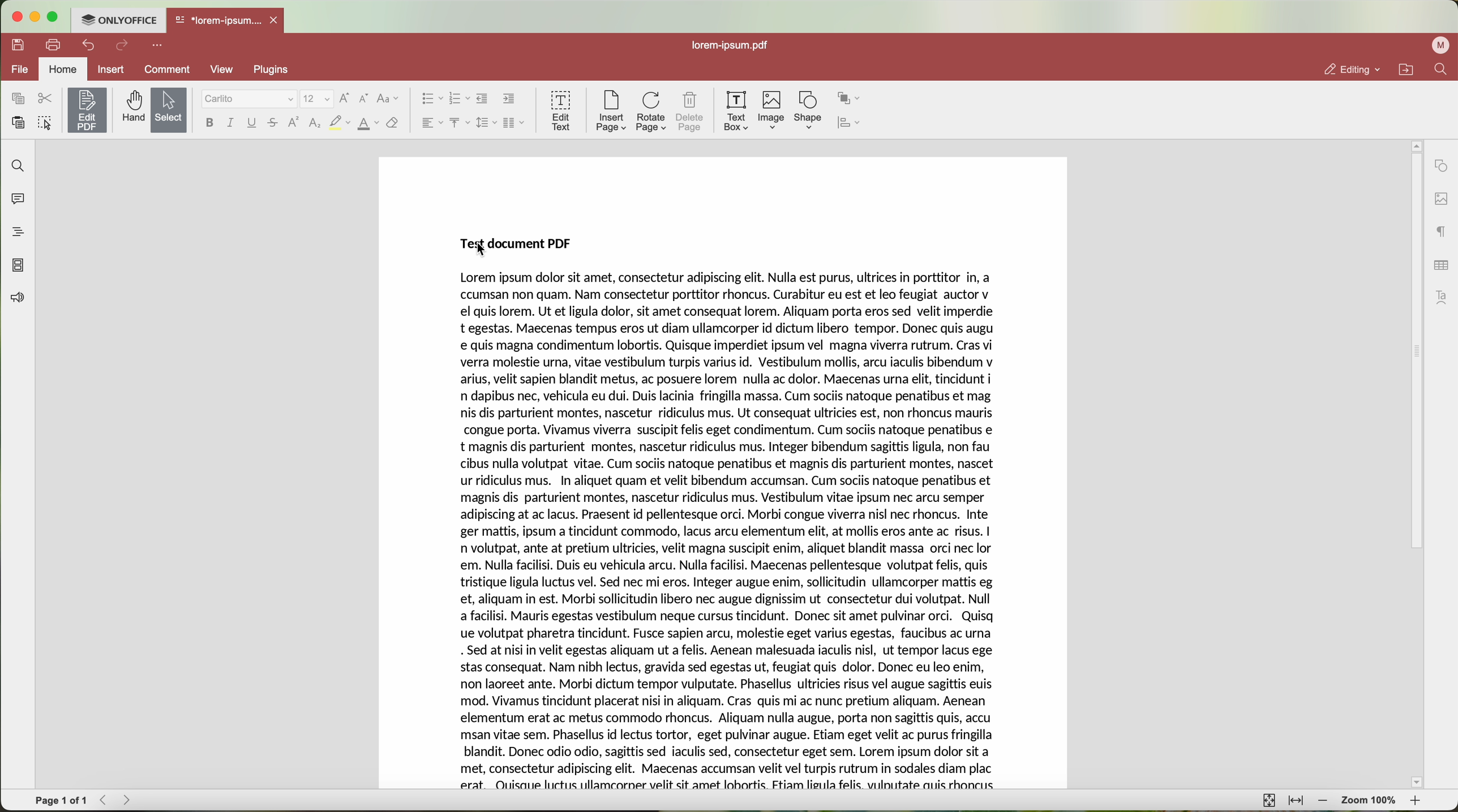 Image resolution: width=1458 pixels, height=812 pixels. Describe the element at coordinates (275, 123) in the screenshot. I see `strikeout` at that location.